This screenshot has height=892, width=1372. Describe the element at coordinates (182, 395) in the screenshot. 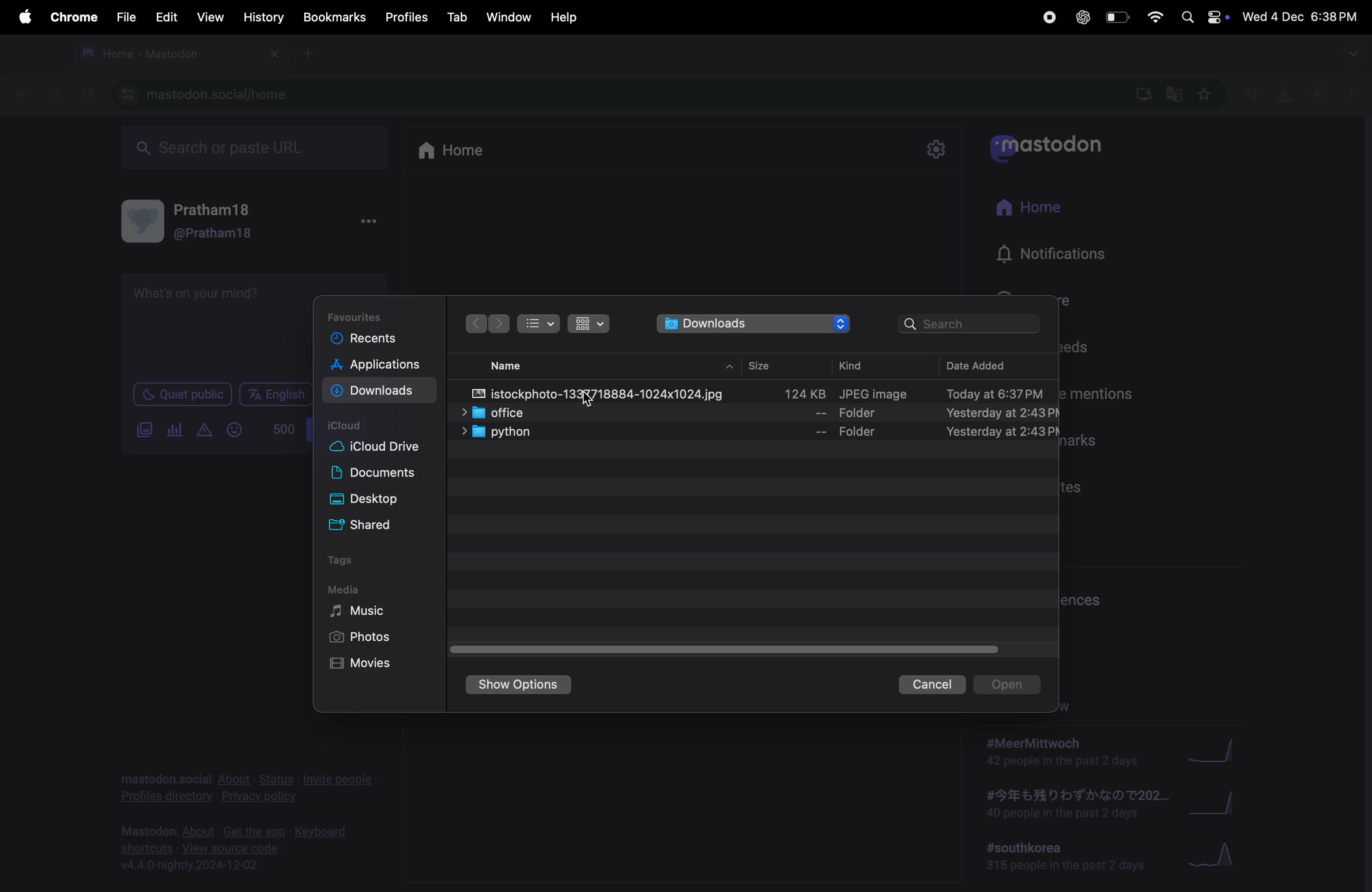

I see `Quiet place` at that location.